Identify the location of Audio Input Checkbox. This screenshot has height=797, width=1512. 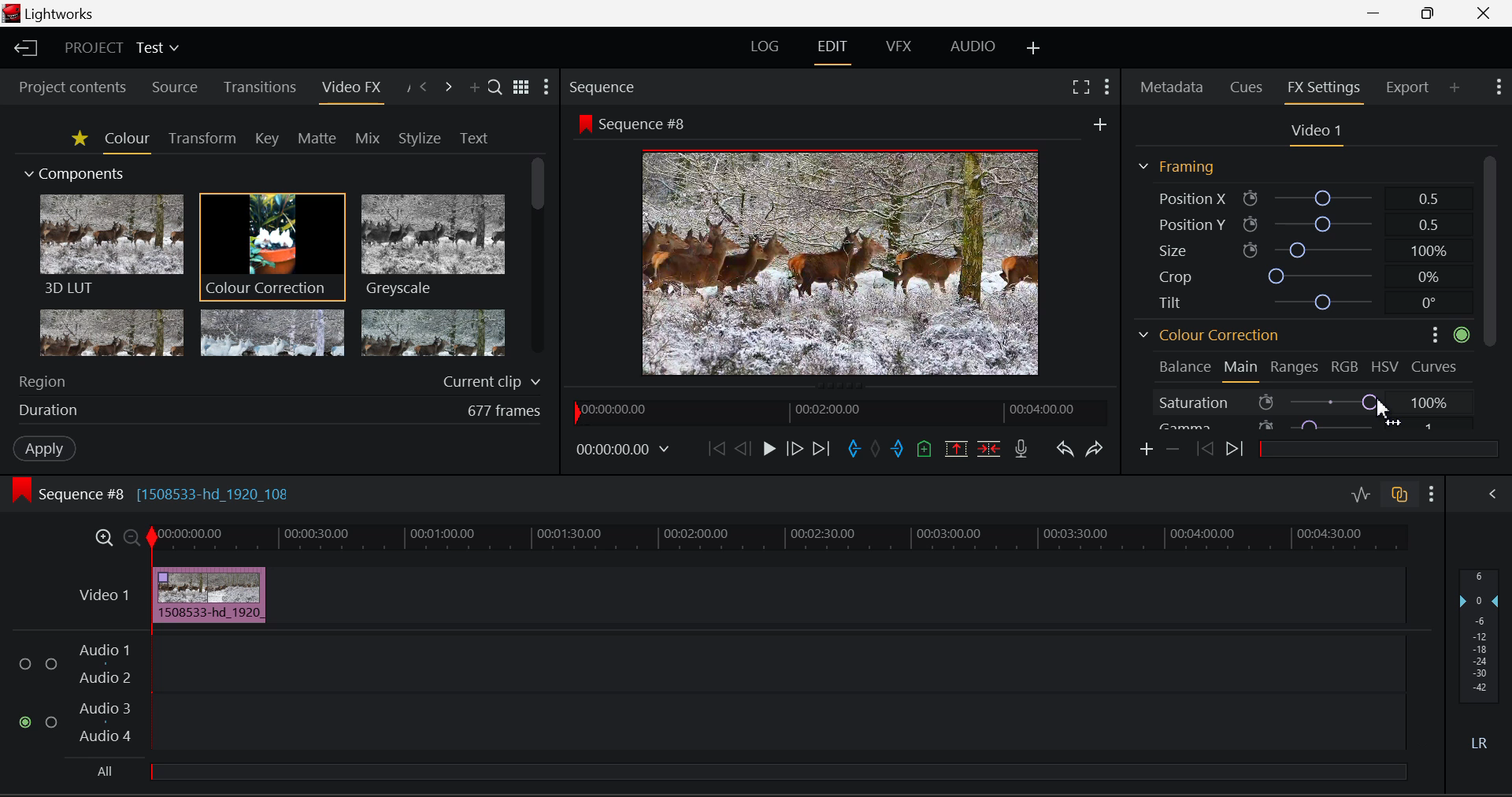
(24, 665).